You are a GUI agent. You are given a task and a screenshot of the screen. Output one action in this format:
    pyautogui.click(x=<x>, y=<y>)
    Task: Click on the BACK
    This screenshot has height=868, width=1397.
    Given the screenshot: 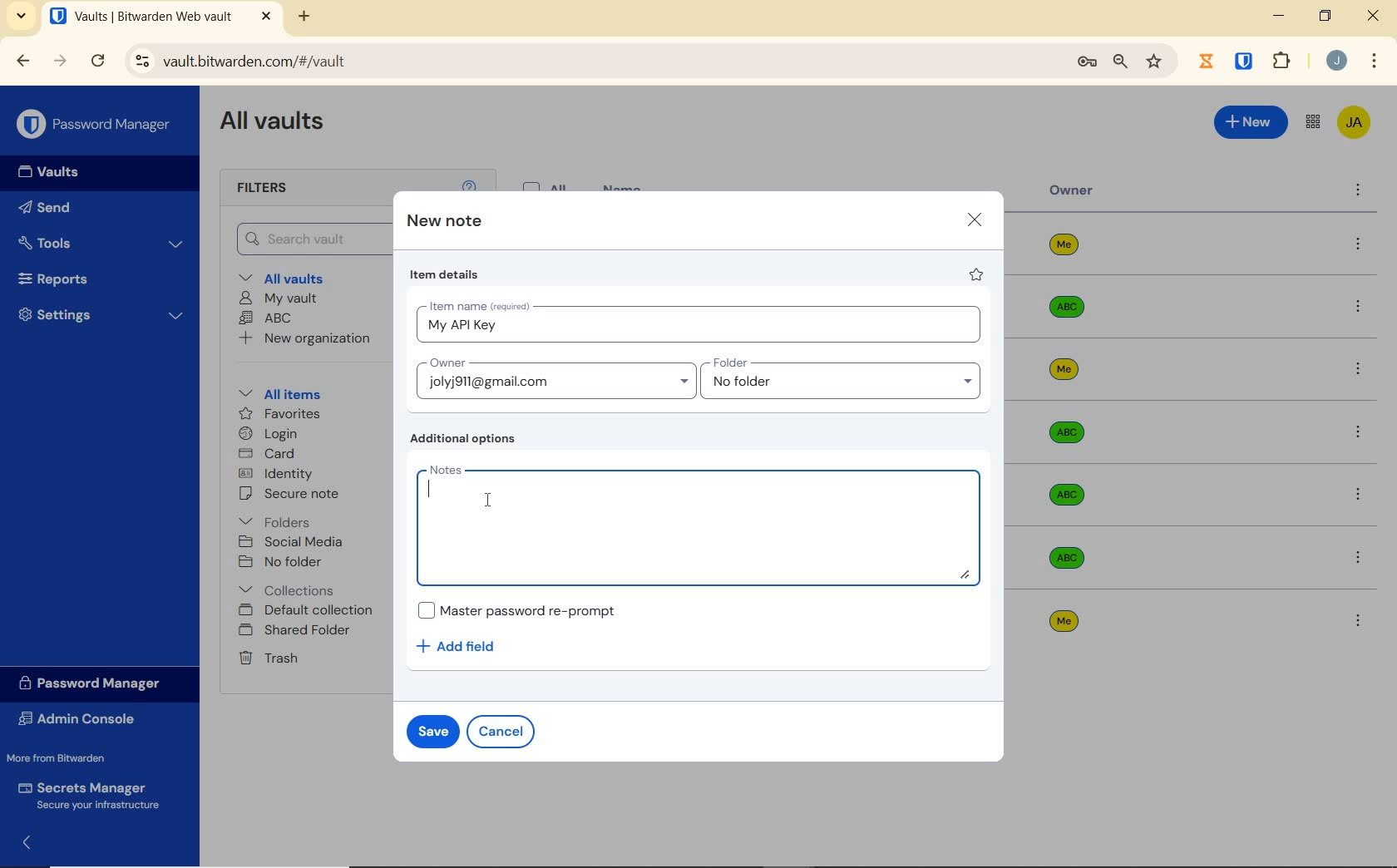 What is the action you would take?
    pyautogui.click(x=23, y=60)
    